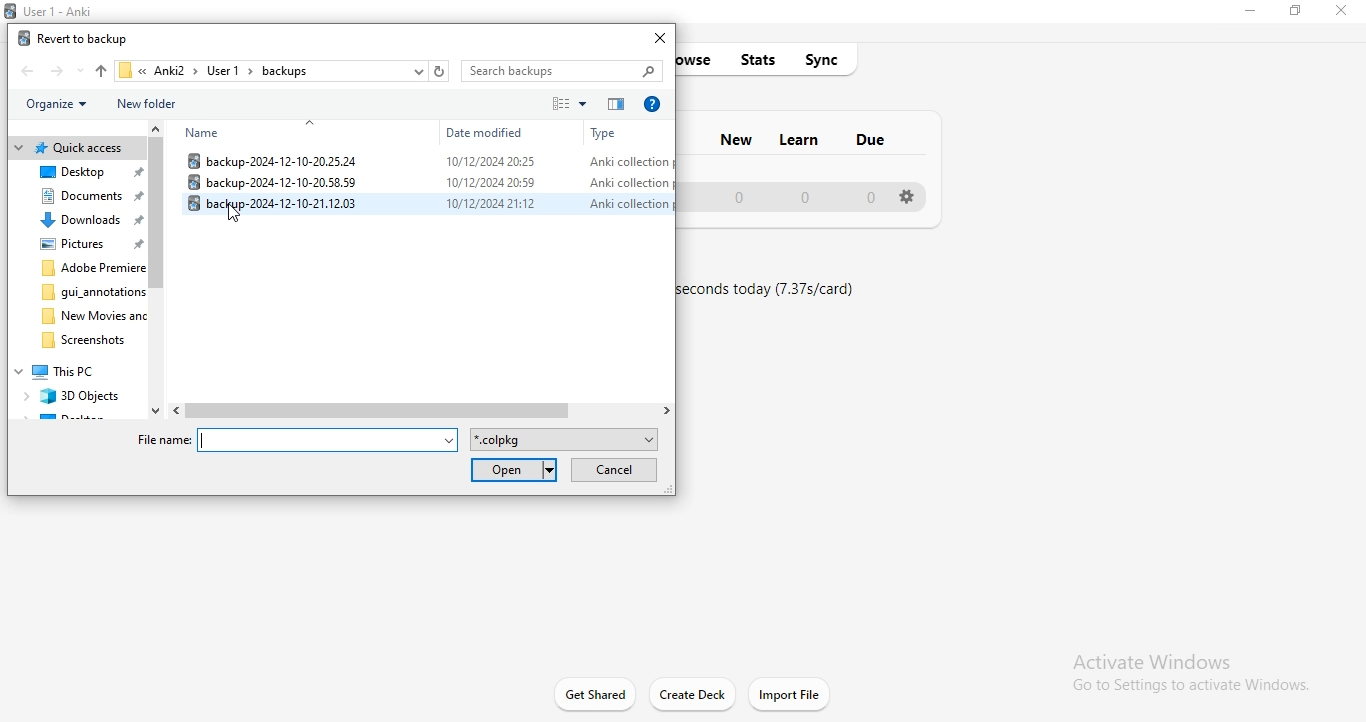  I want to click on file structure, so click(77, 279).